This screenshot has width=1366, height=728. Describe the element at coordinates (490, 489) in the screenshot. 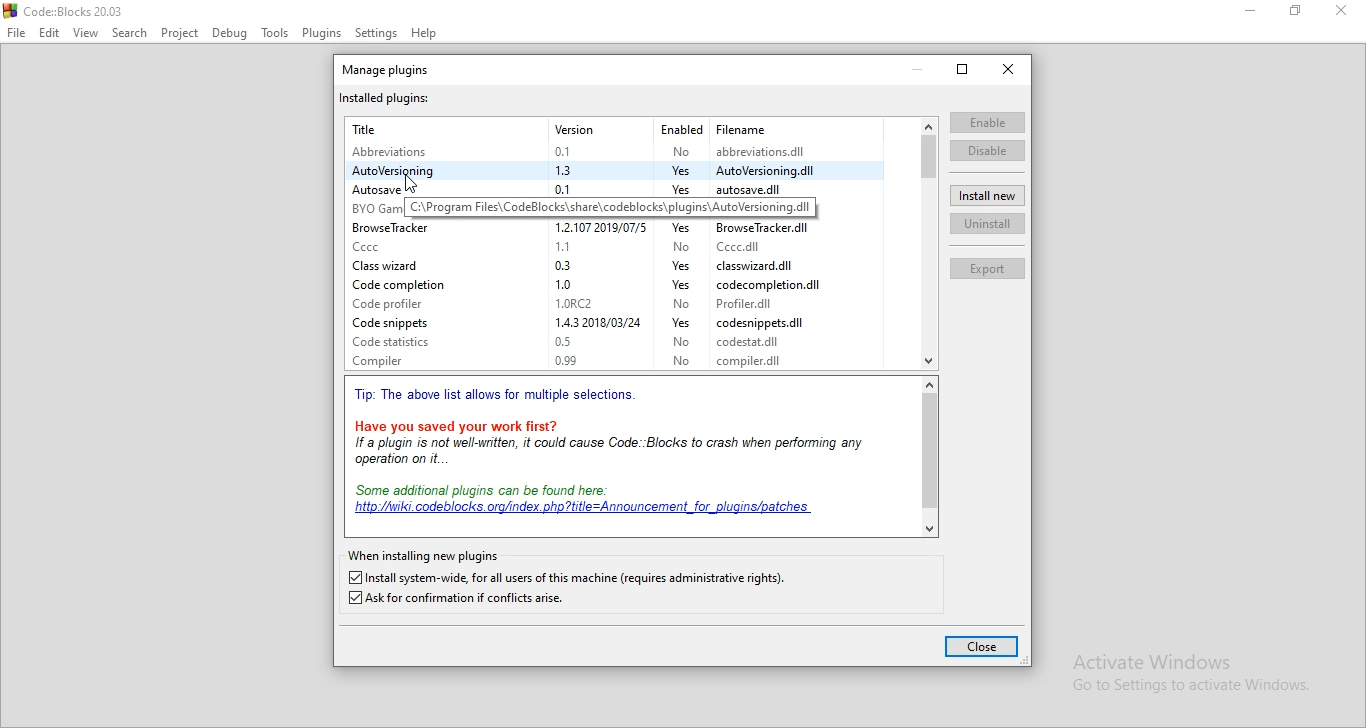

I see `Some additional plugins can be found here:` at that location.